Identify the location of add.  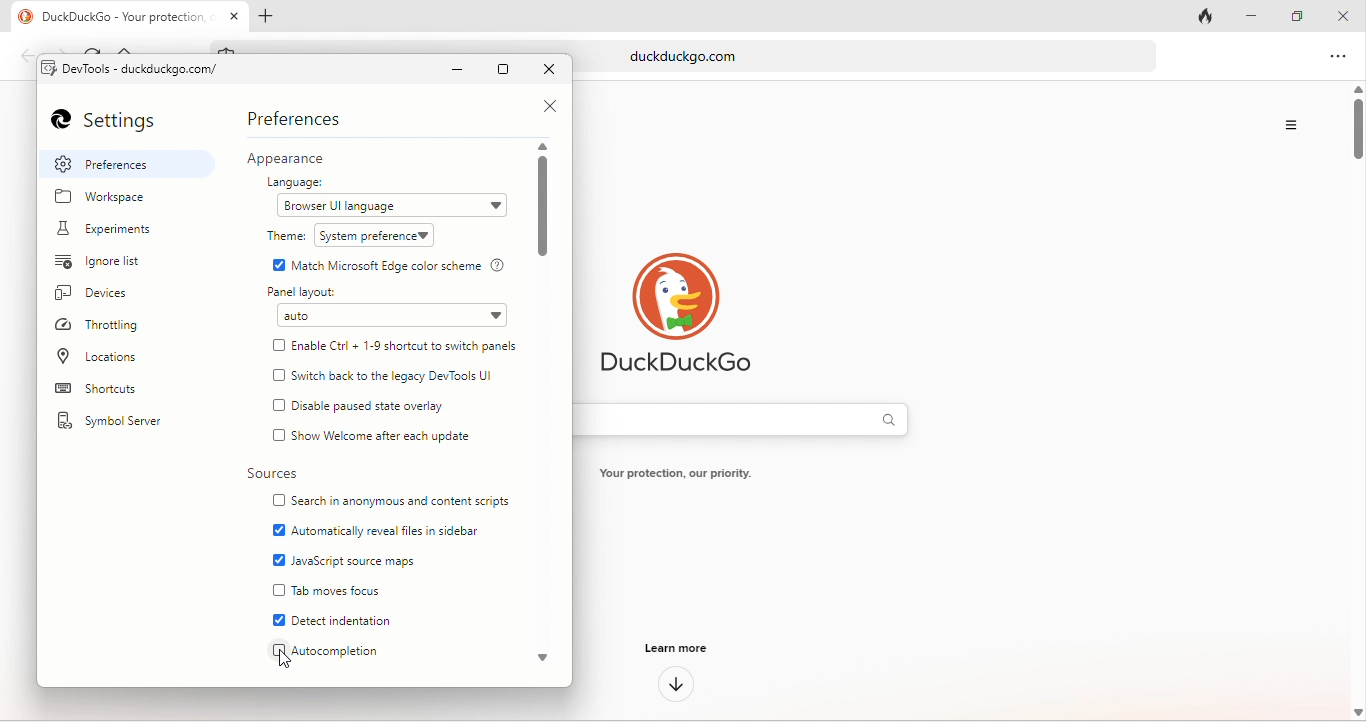
(269, 16).